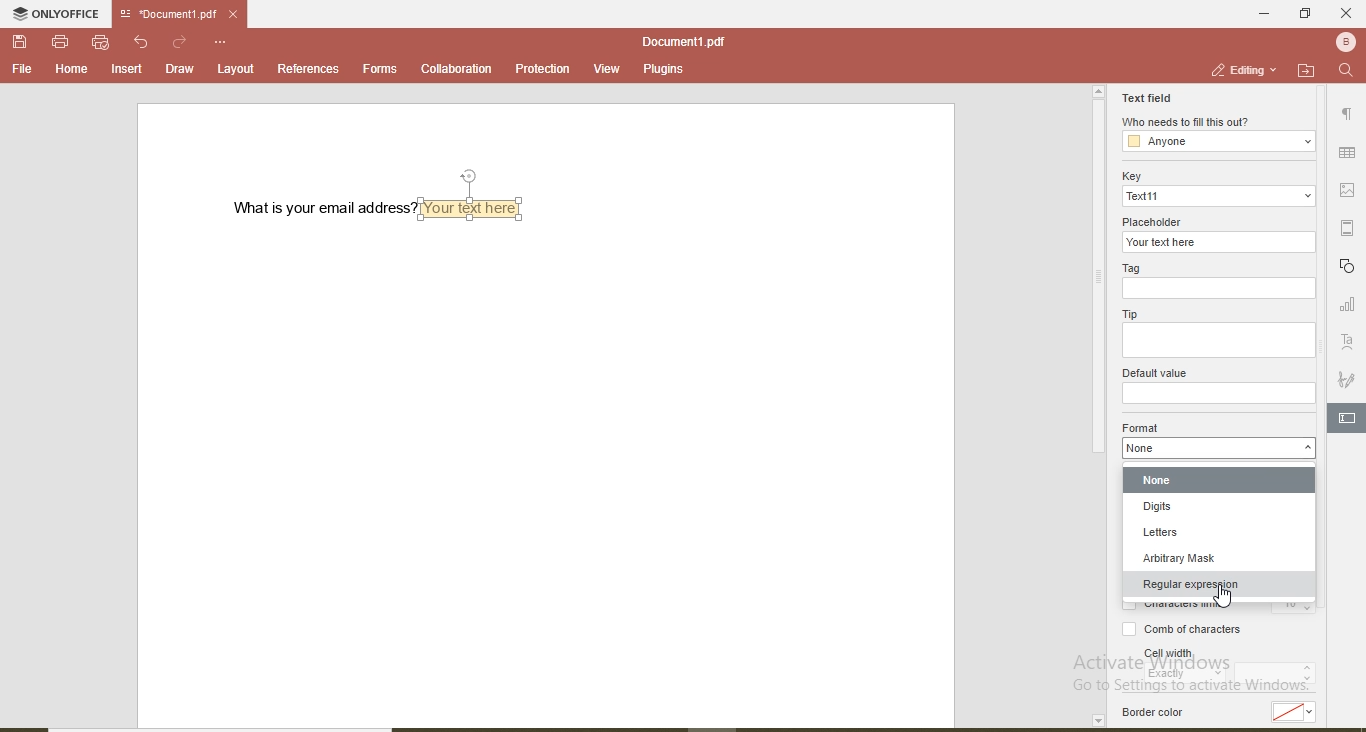 The image size is (1366, 732). Describe the element at coordinates (237, 68) in the screenshot. I see `layout` at that location.